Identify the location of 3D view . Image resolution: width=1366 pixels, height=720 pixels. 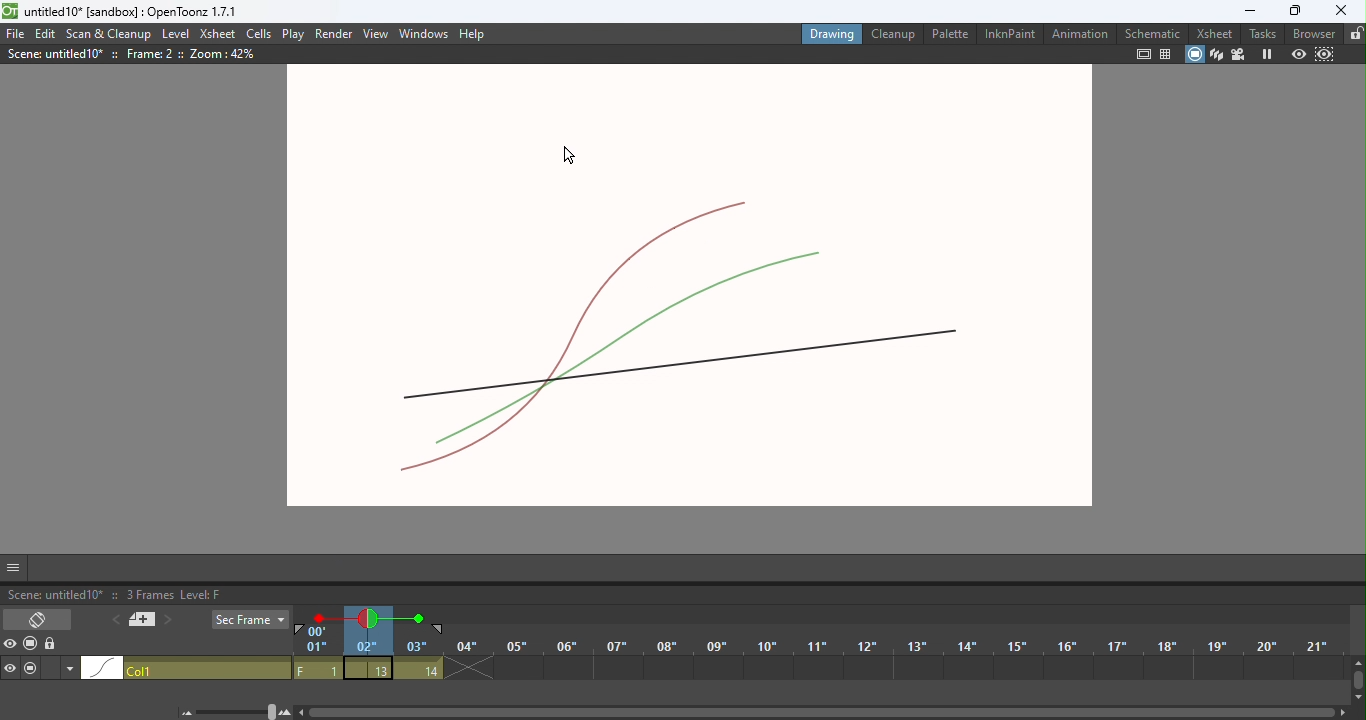
(1216, 54).